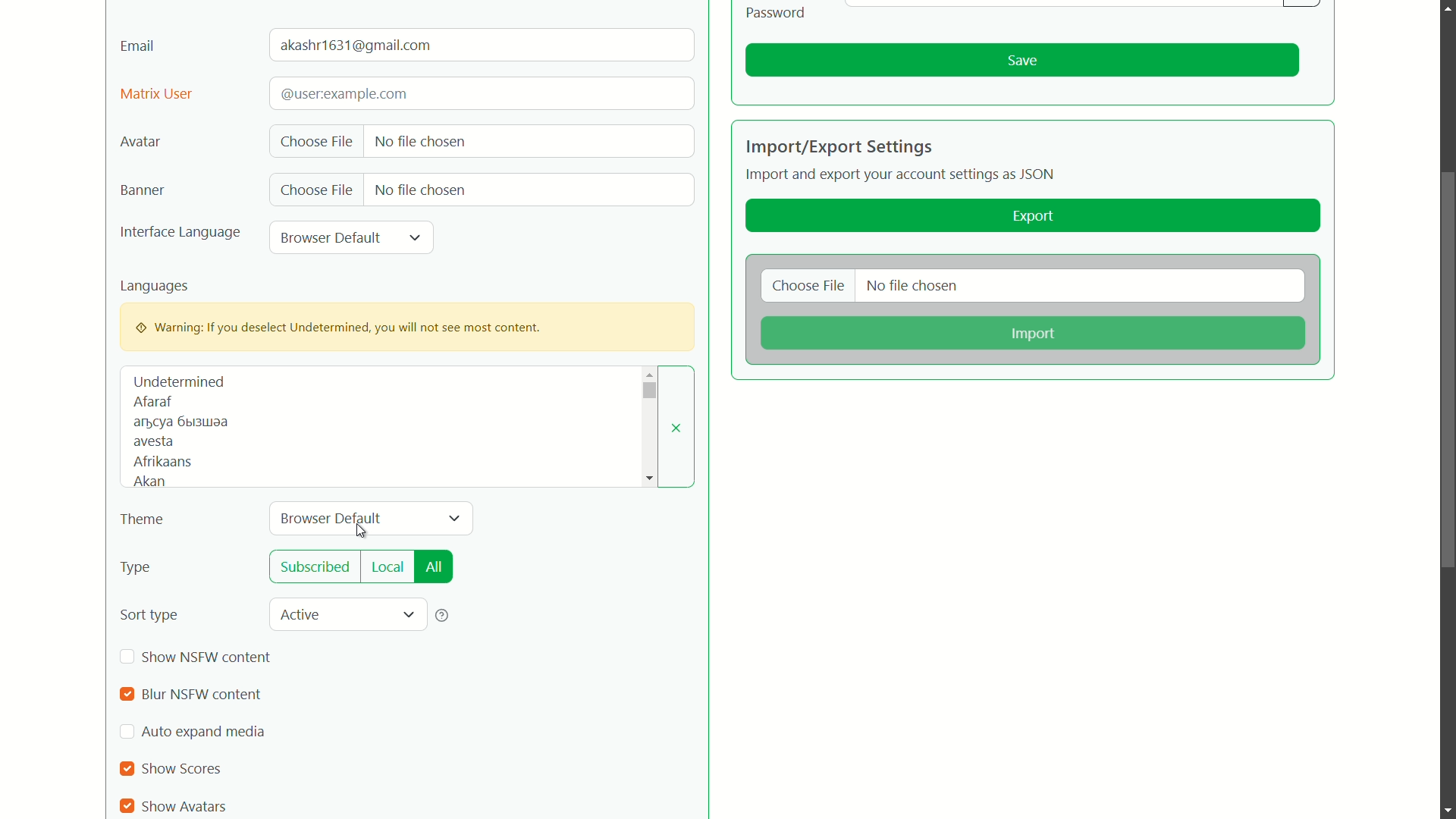 This screenshot has height=819, width=1456. What do you see at coordinates (152, 402) in the screenshot?
I see `afaraf` at bounding box center [152, 402].